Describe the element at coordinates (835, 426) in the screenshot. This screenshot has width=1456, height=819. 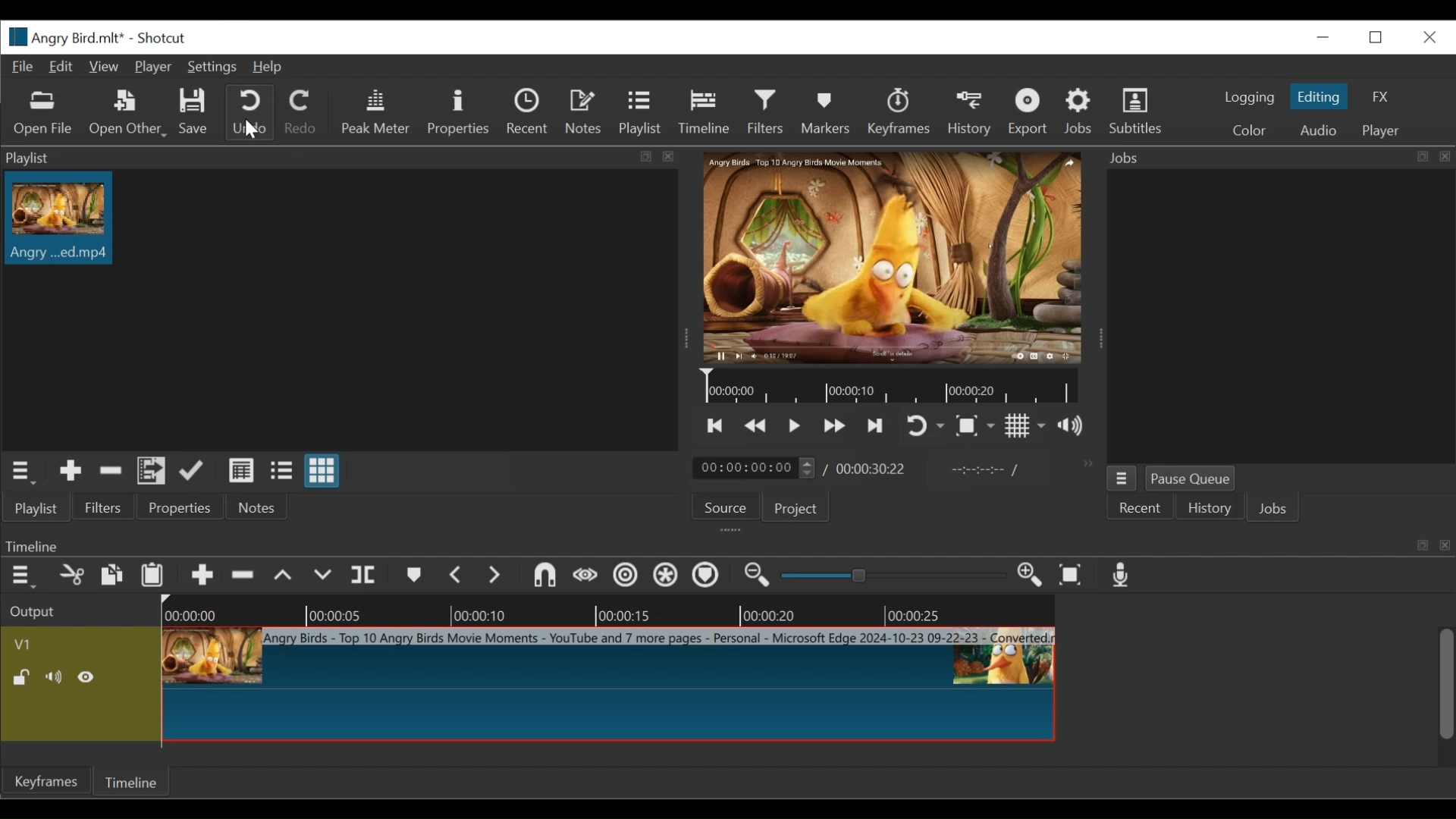
I see `Play quickly forward` at that location.